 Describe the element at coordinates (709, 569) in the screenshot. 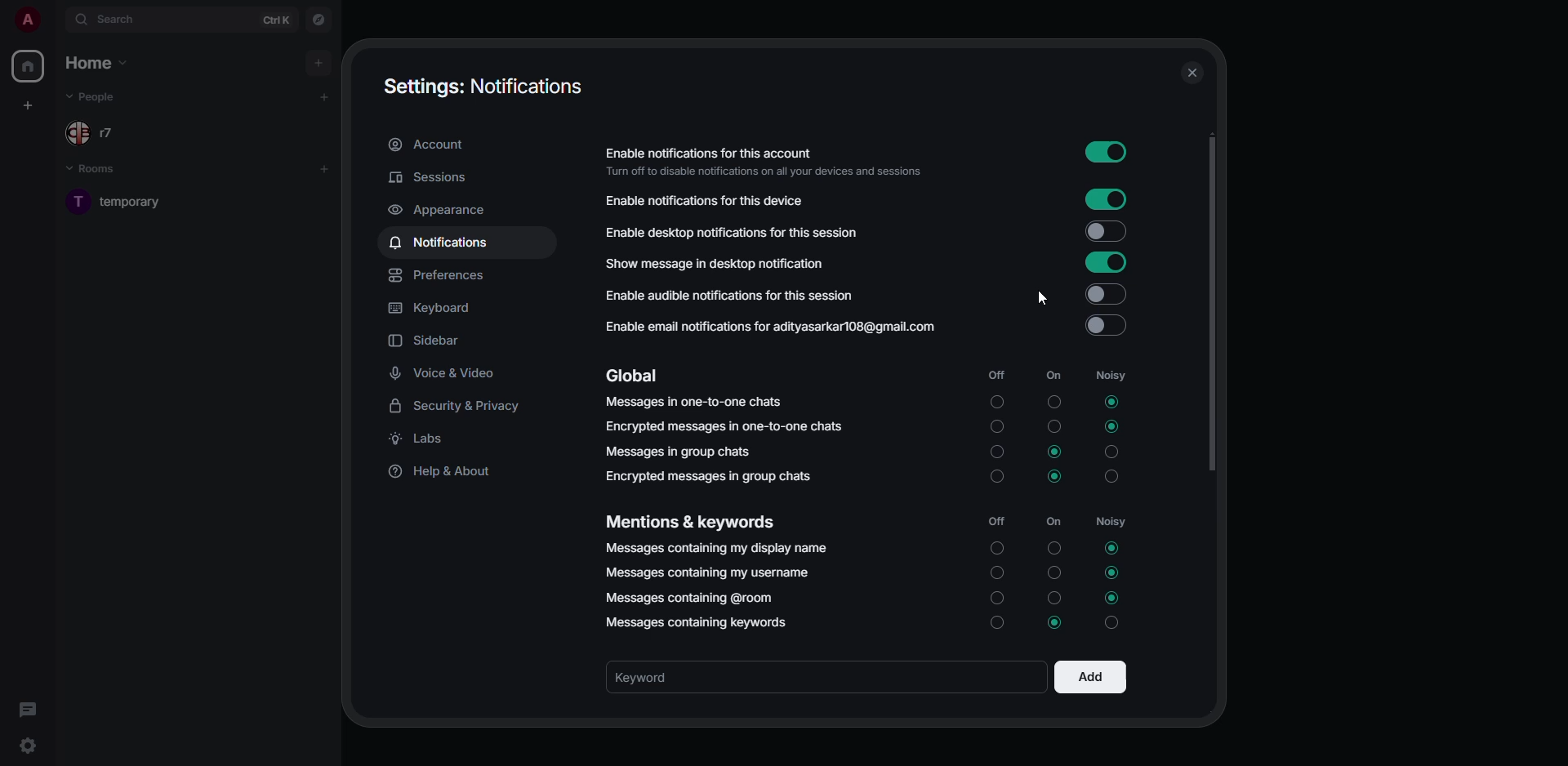

I see `messages containing username` at that location.